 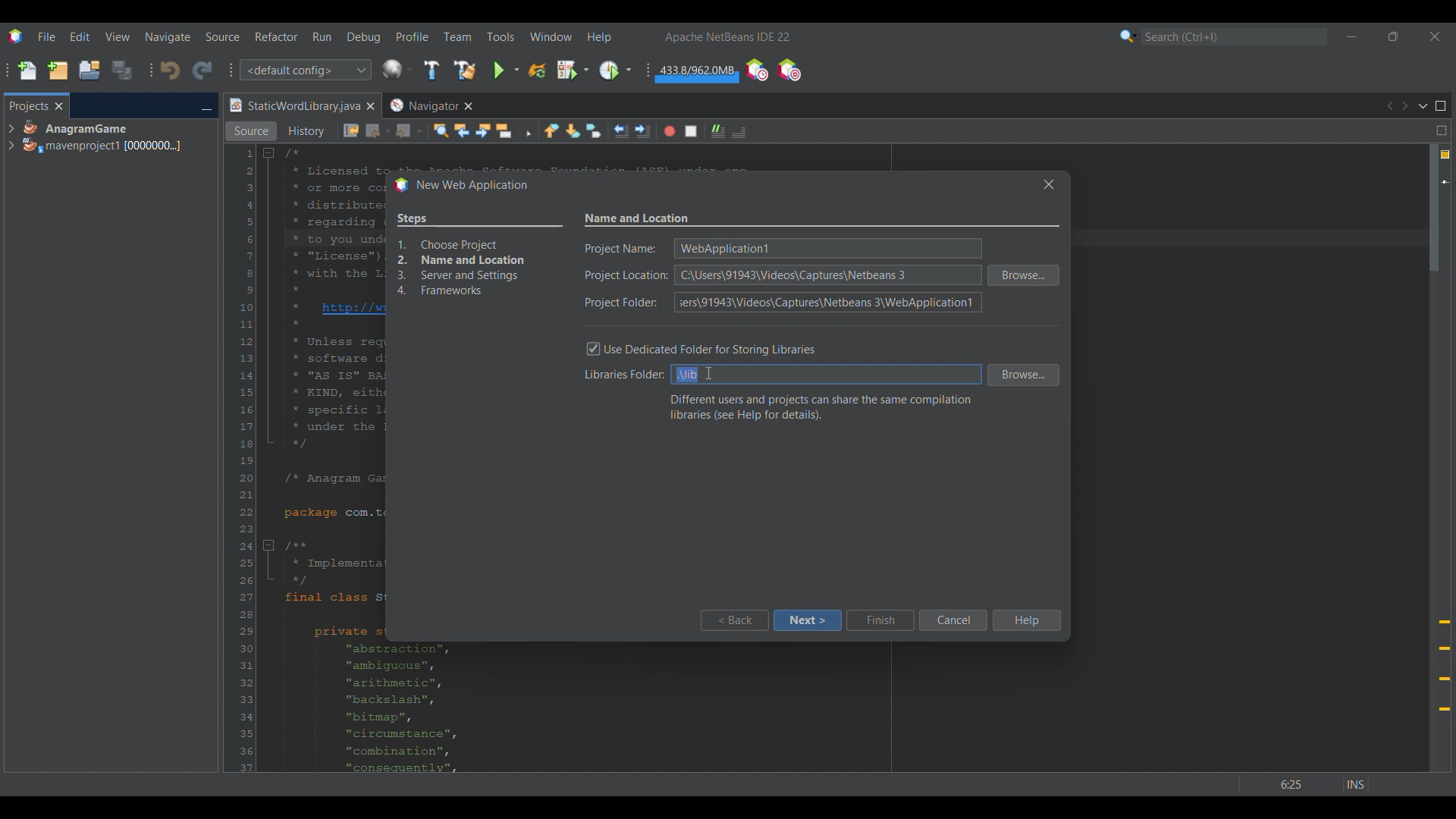 I want to click on Add @override annotation, so click(x=1445, y=666).